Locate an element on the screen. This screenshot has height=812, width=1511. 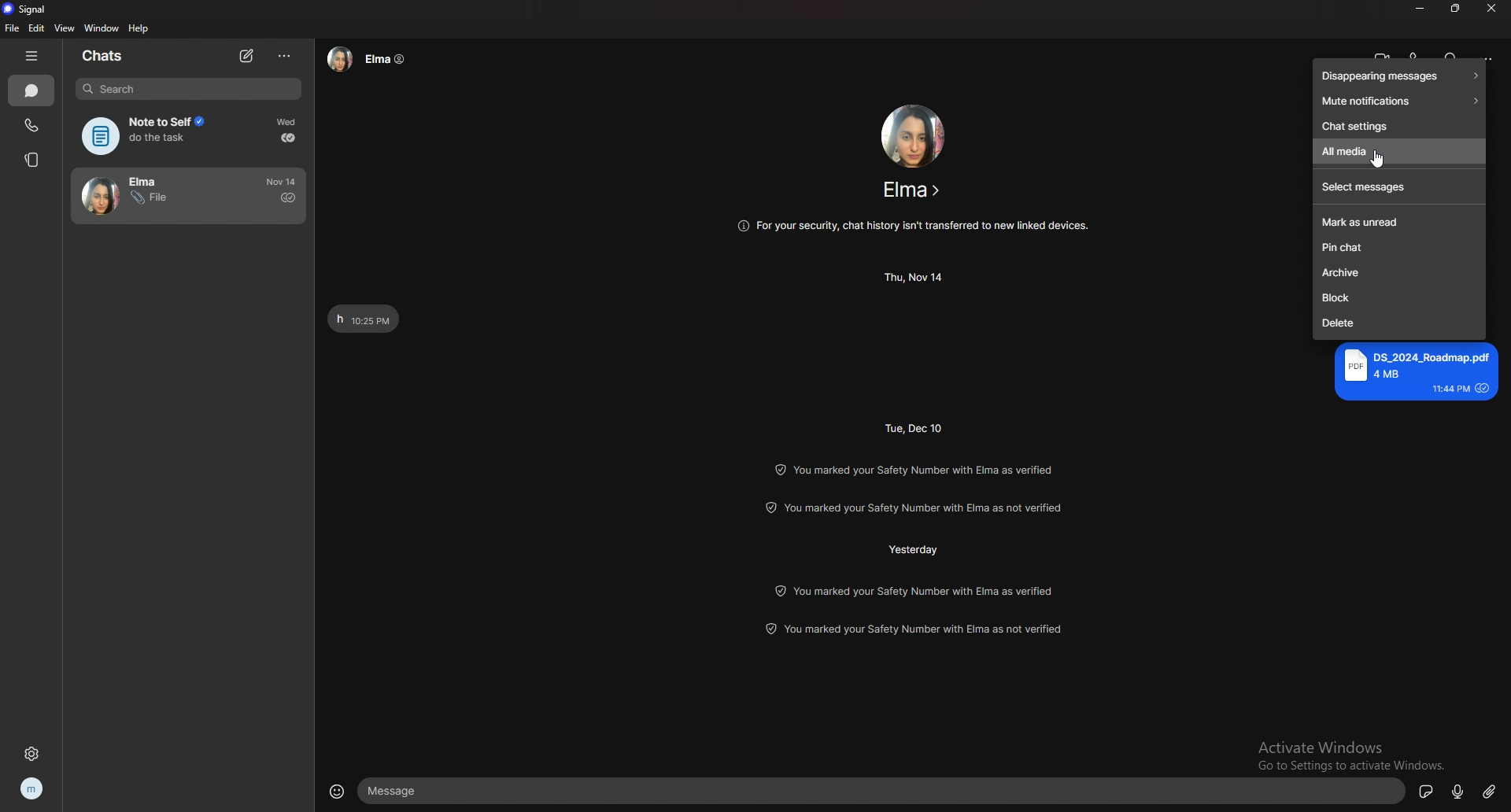
contact info is located at coordinates (369, 58).